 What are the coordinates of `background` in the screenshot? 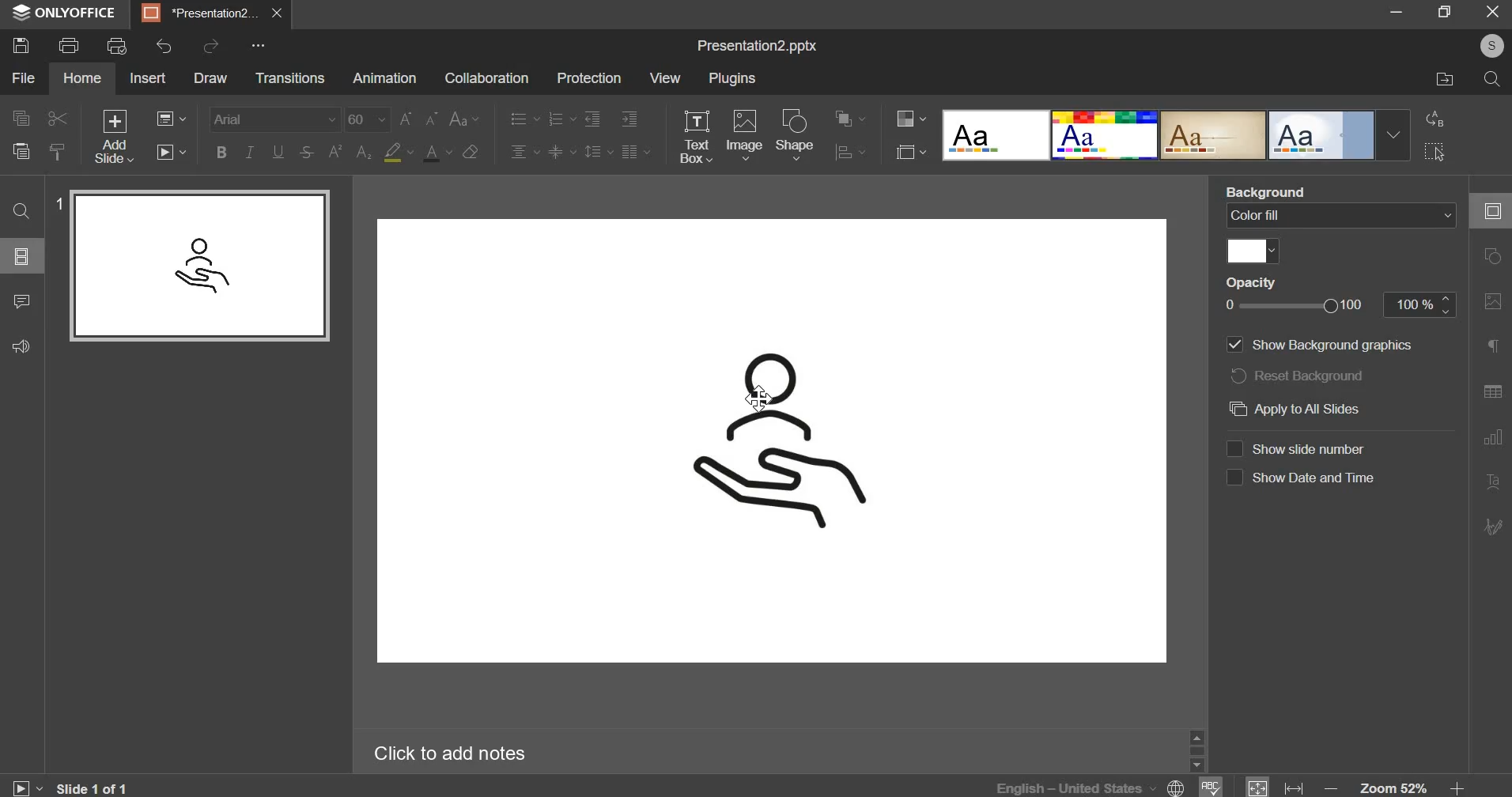 It's located at (1342, 214).